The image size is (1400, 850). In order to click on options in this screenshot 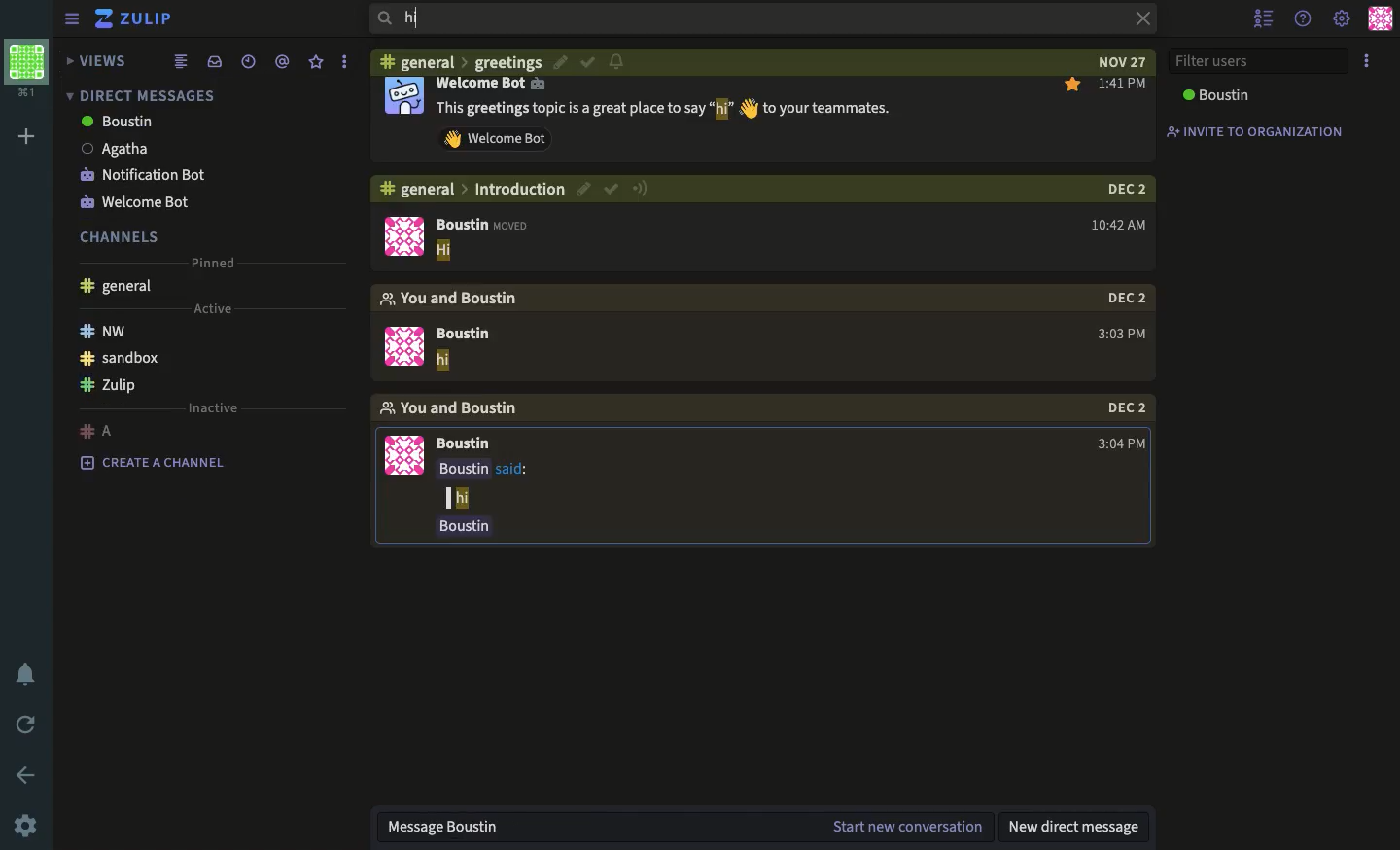, I will do `click(344, 62)`.